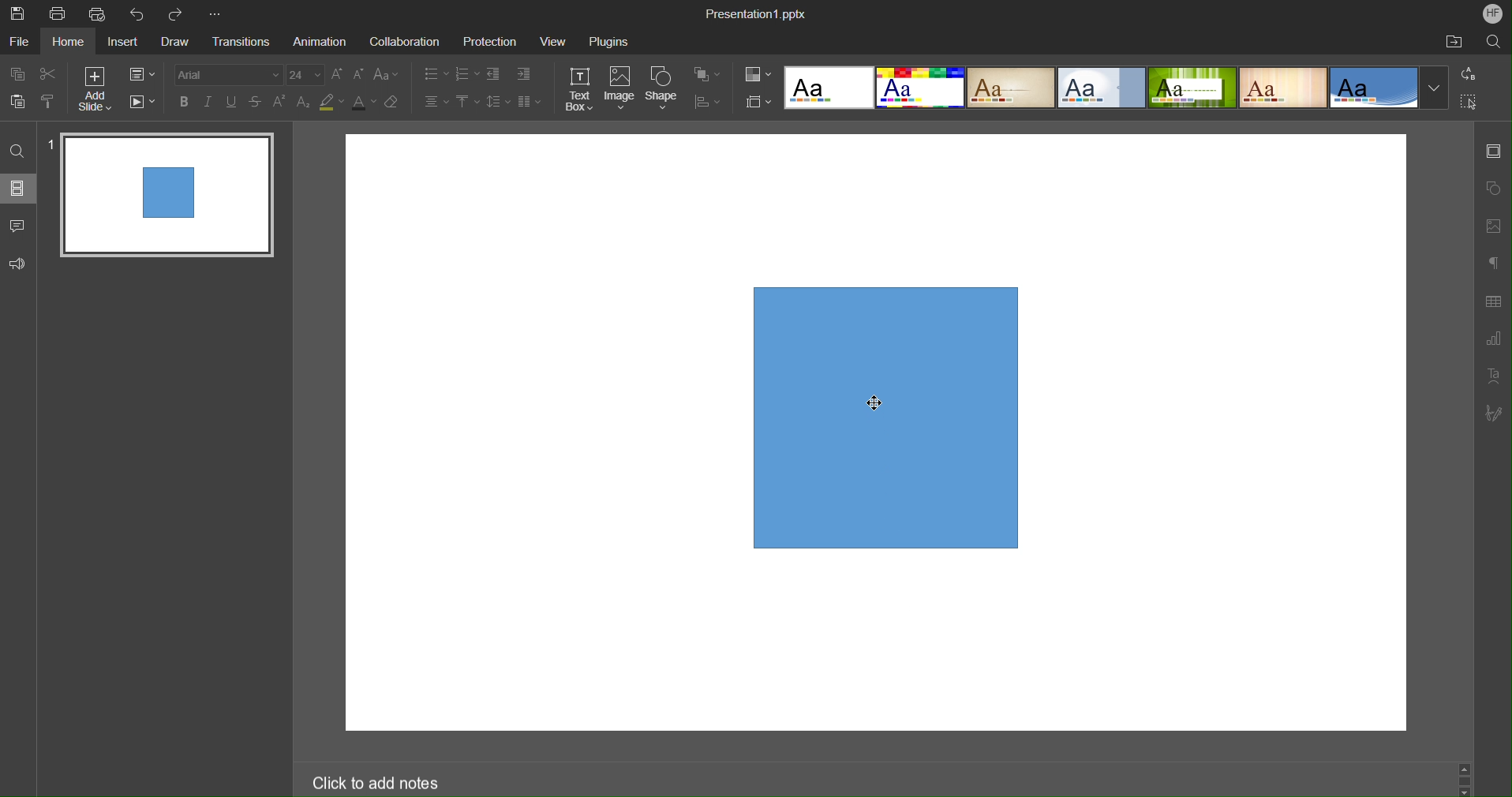  Describe the element at coordinates (137, 11) in the screenshot. I see `Undo` at that location.